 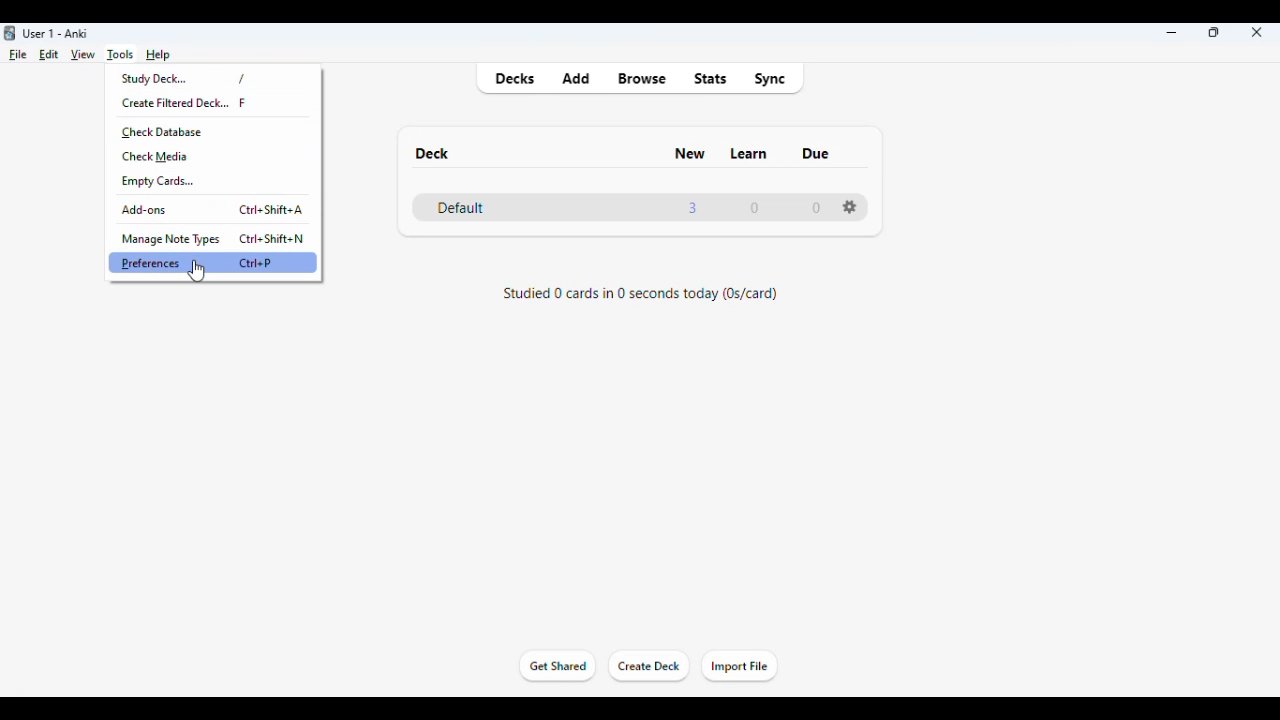 I want to click on maximize, so click(x=1214, y=32).